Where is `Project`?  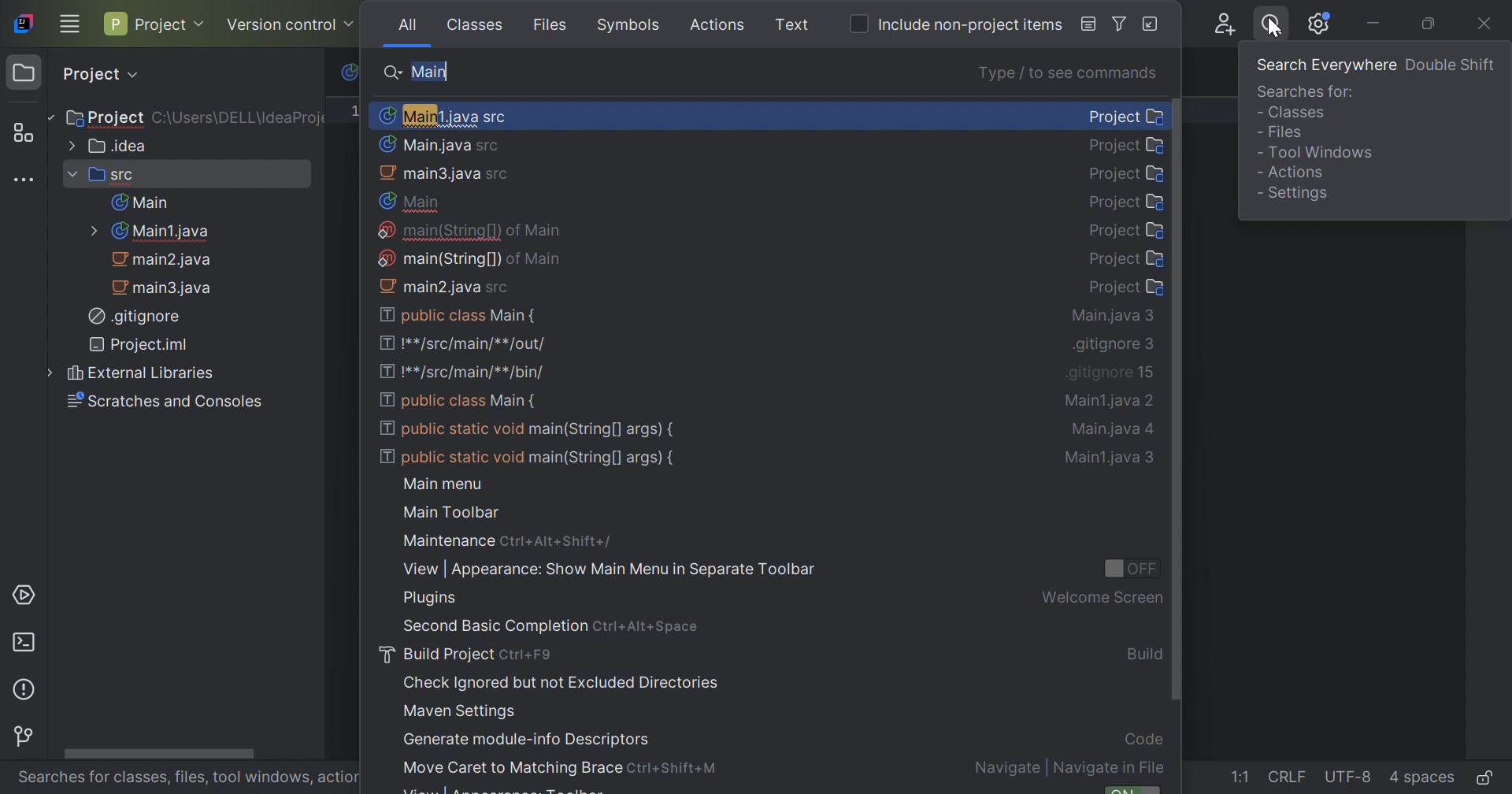
Project is located at coordinates (1127, 202).